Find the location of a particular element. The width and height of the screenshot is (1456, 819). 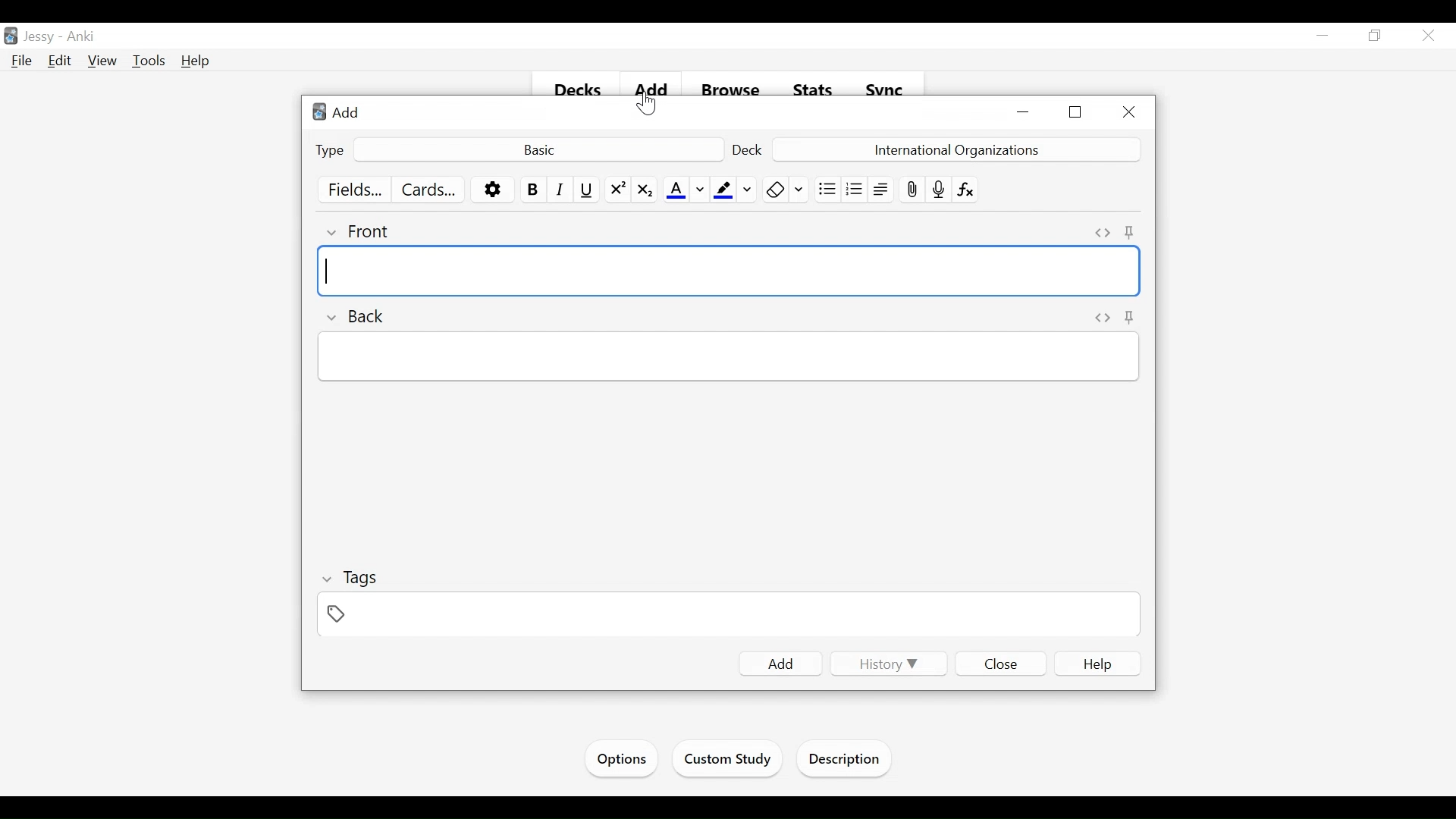

Change Color is located at coordinates (748, 190).